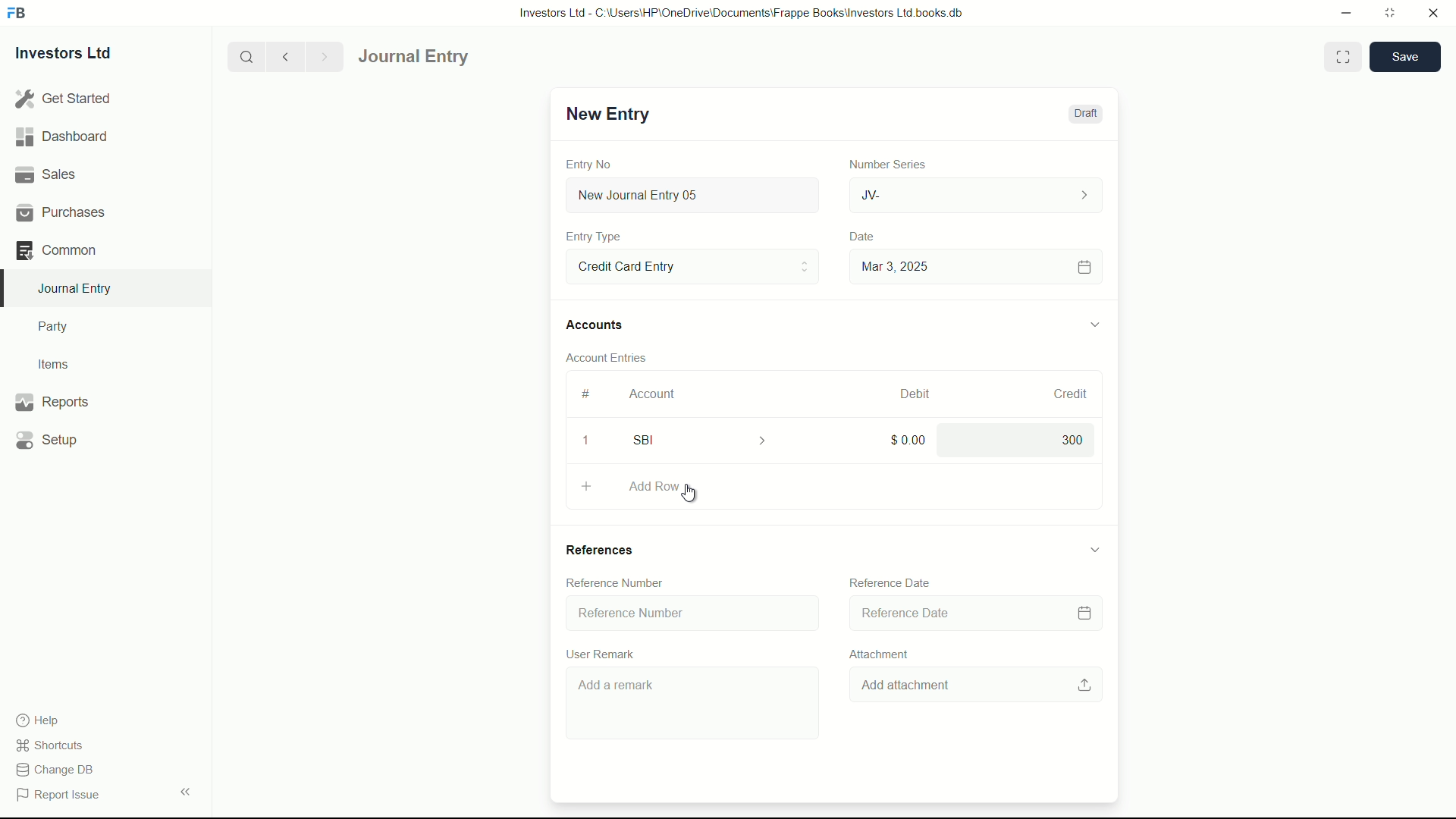  What do you see at coordinates (284, 56) in the screenshot?
I see `previous` at bounding box center [284, 56].